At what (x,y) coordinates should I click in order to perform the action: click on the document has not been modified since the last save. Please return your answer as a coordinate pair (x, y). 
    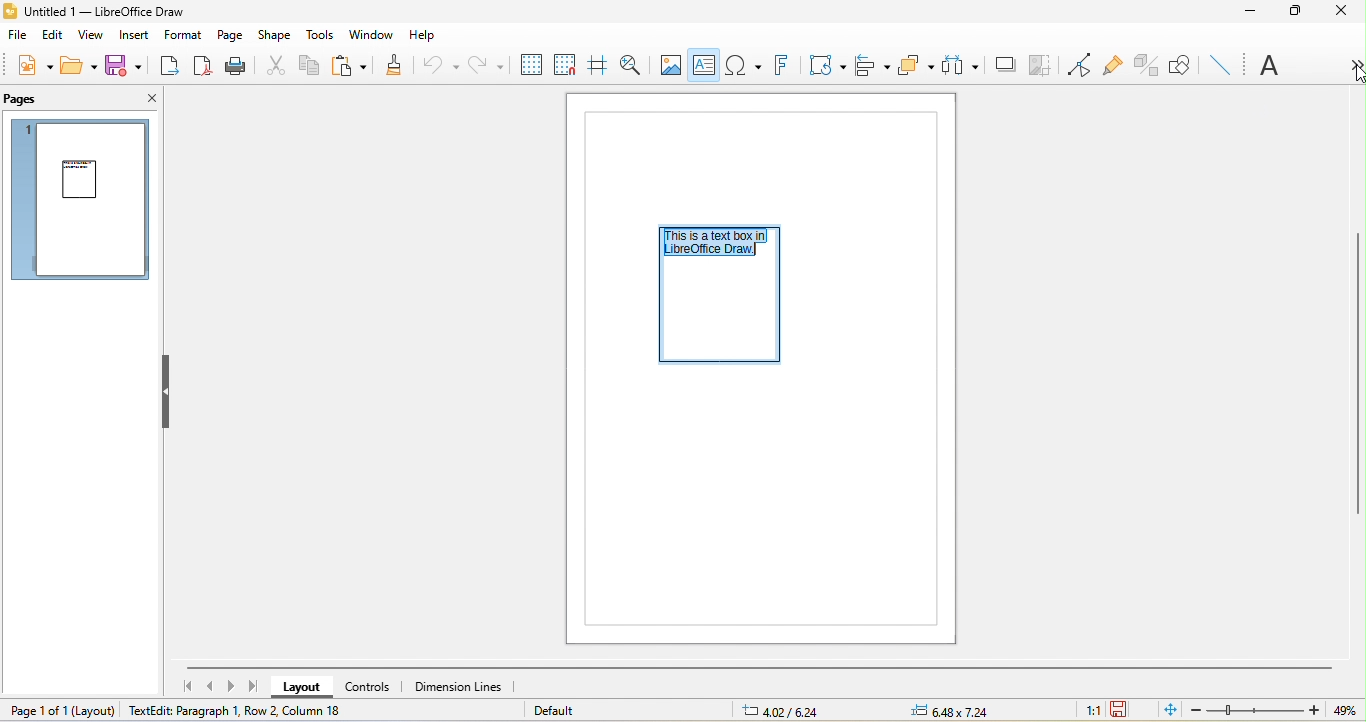
    Looking at the image, I should click on (1125, 711).